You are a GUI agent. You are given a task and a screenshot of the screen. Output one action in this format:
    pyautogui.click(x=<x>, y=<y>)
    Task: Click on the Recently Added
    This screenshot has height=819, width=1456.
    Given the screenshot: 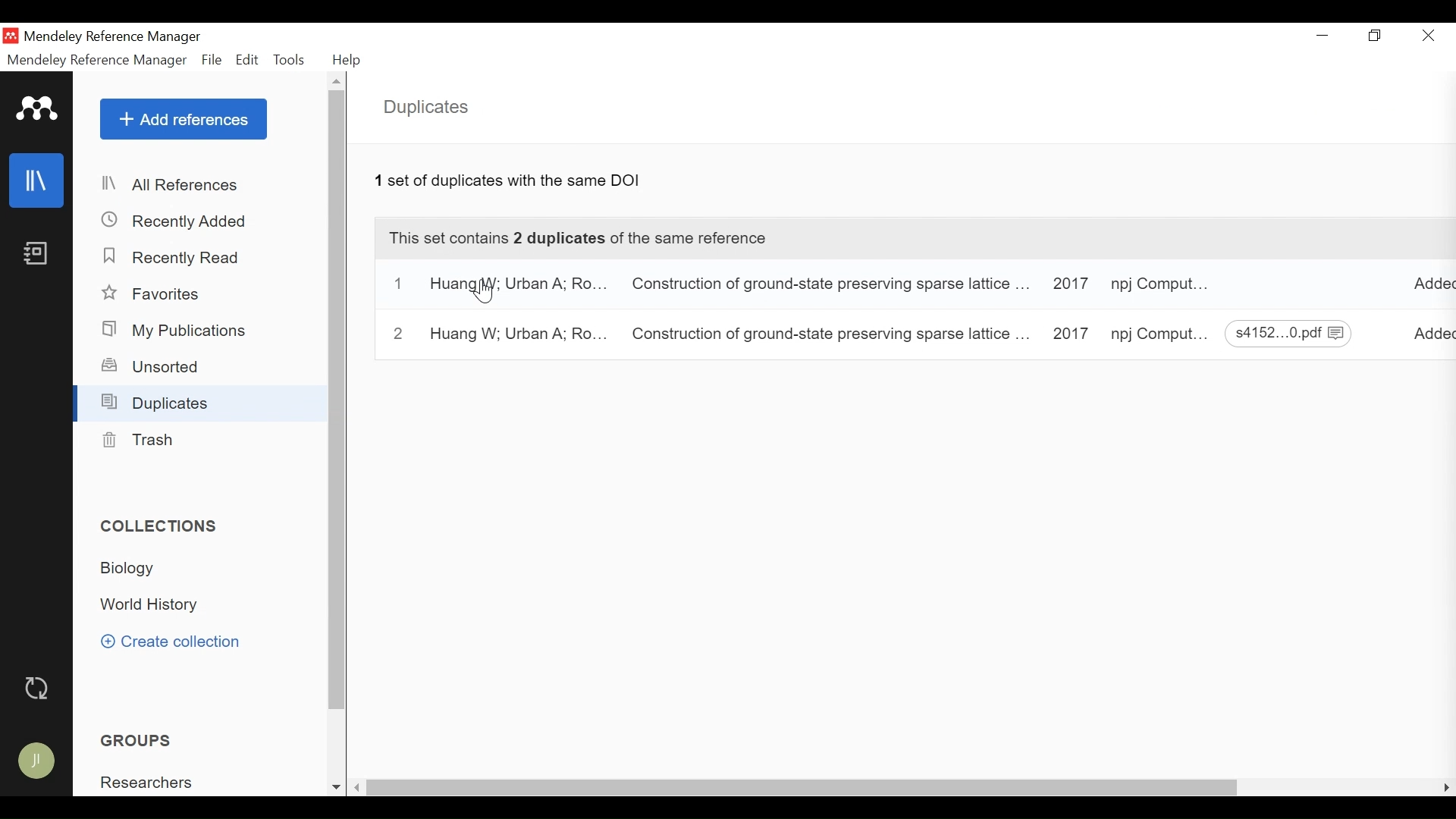 What is the action you would take?
    pyautogui.click(x=179, y=220)
    